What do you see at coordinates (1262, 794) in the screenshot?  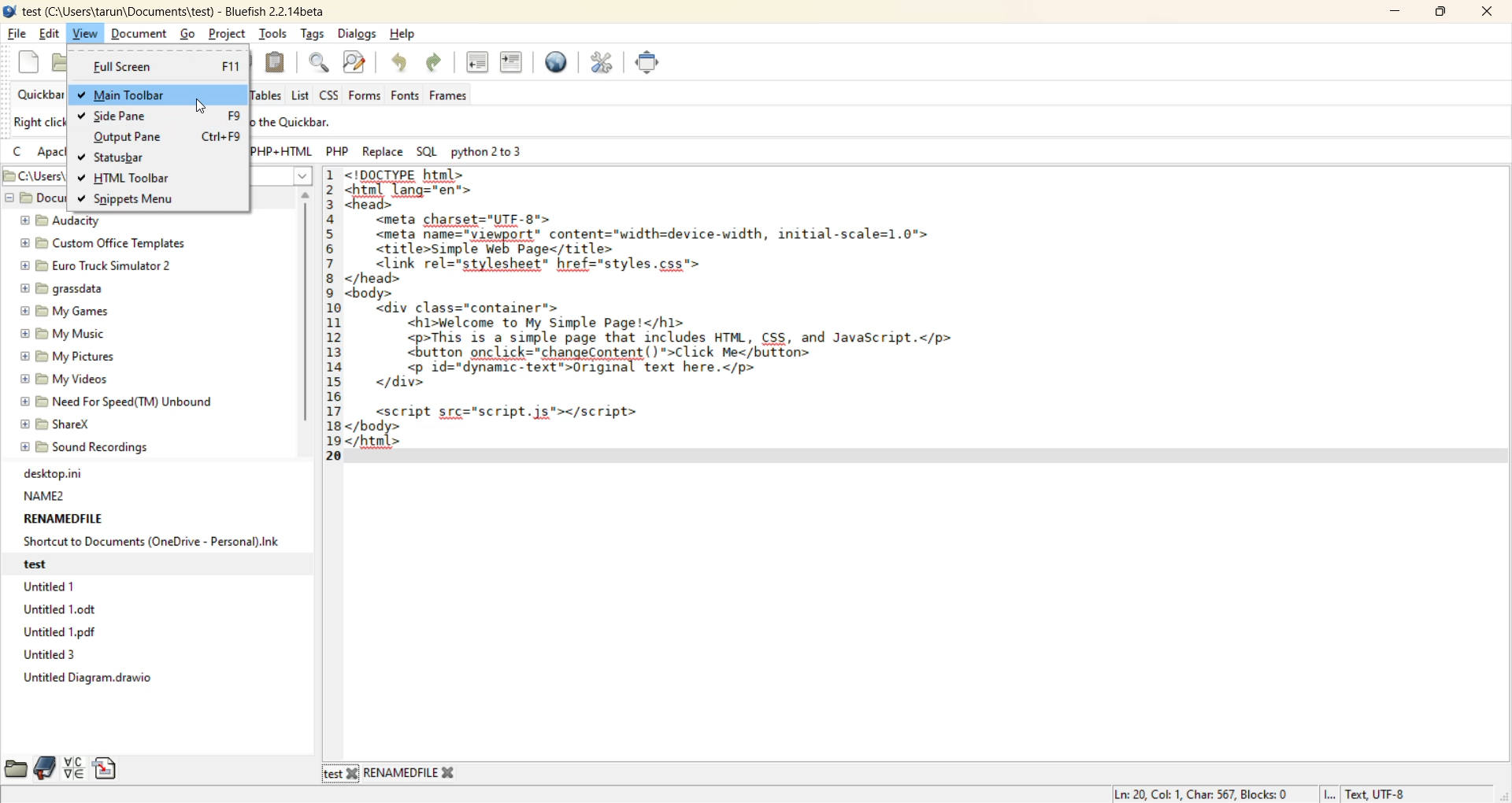 I see `metadata` at bounding box center [1262, 794].